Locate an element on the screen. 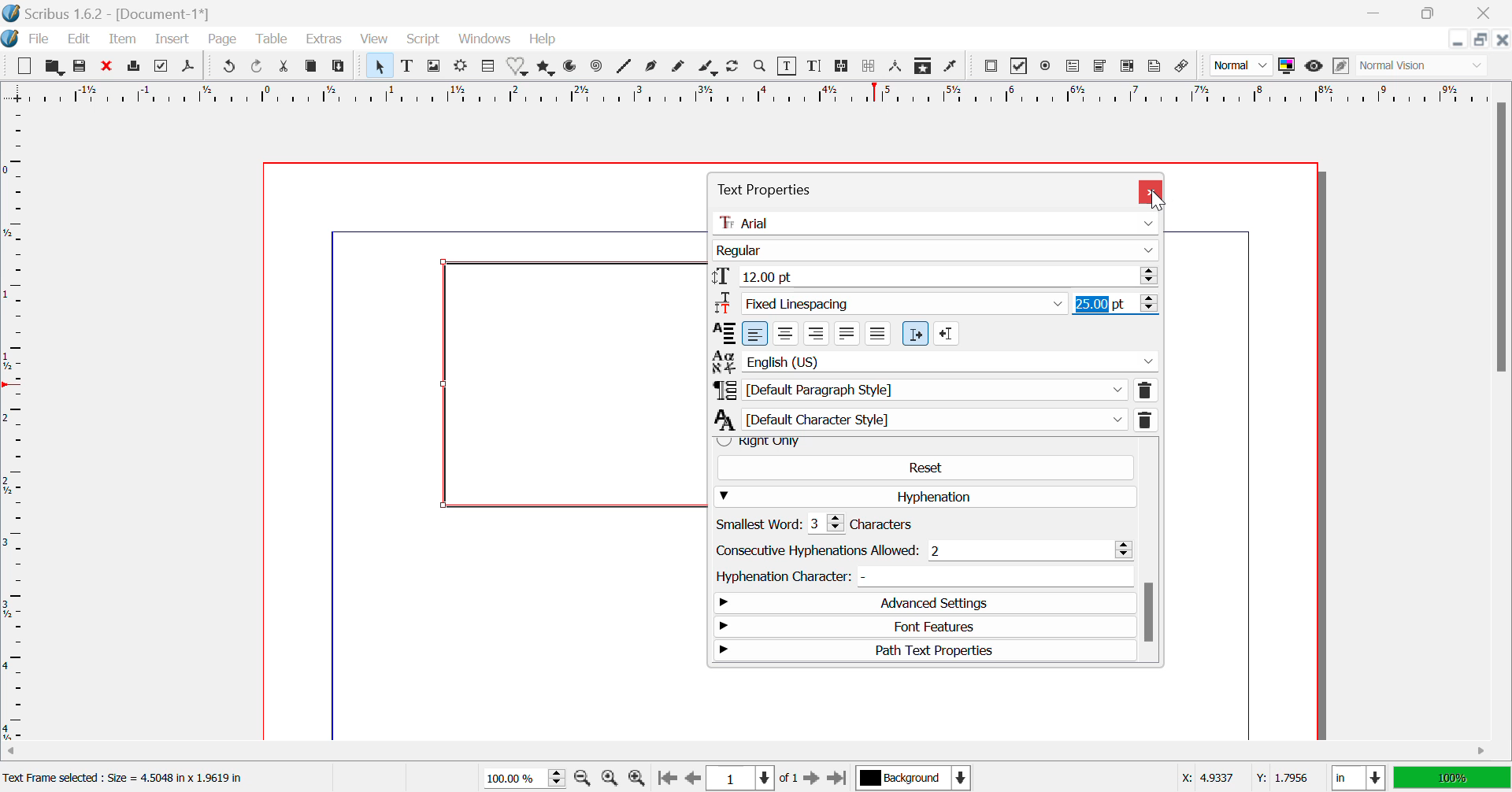 The image size is (1512, 792). Previous Page is located at coordinates (691, 779).